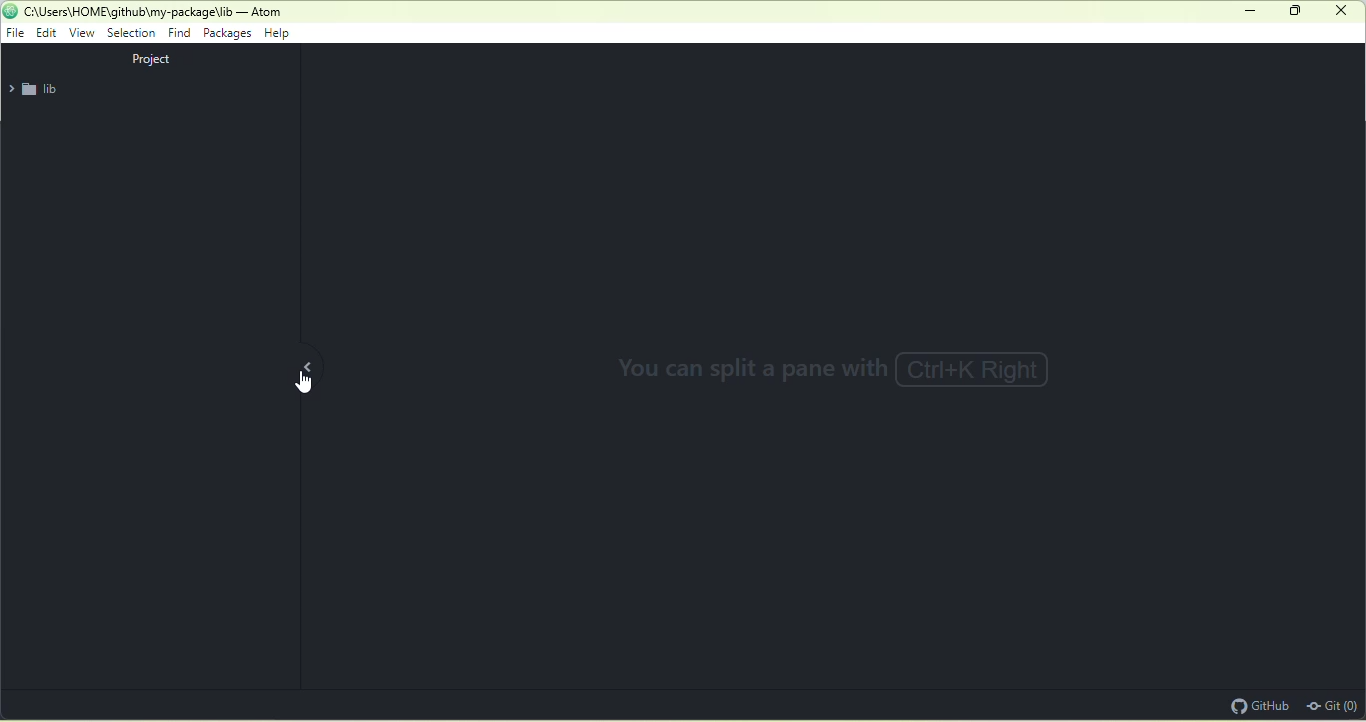  Describe the element at coordinates (16, 33) in the screenshot. I see `file` at that location.